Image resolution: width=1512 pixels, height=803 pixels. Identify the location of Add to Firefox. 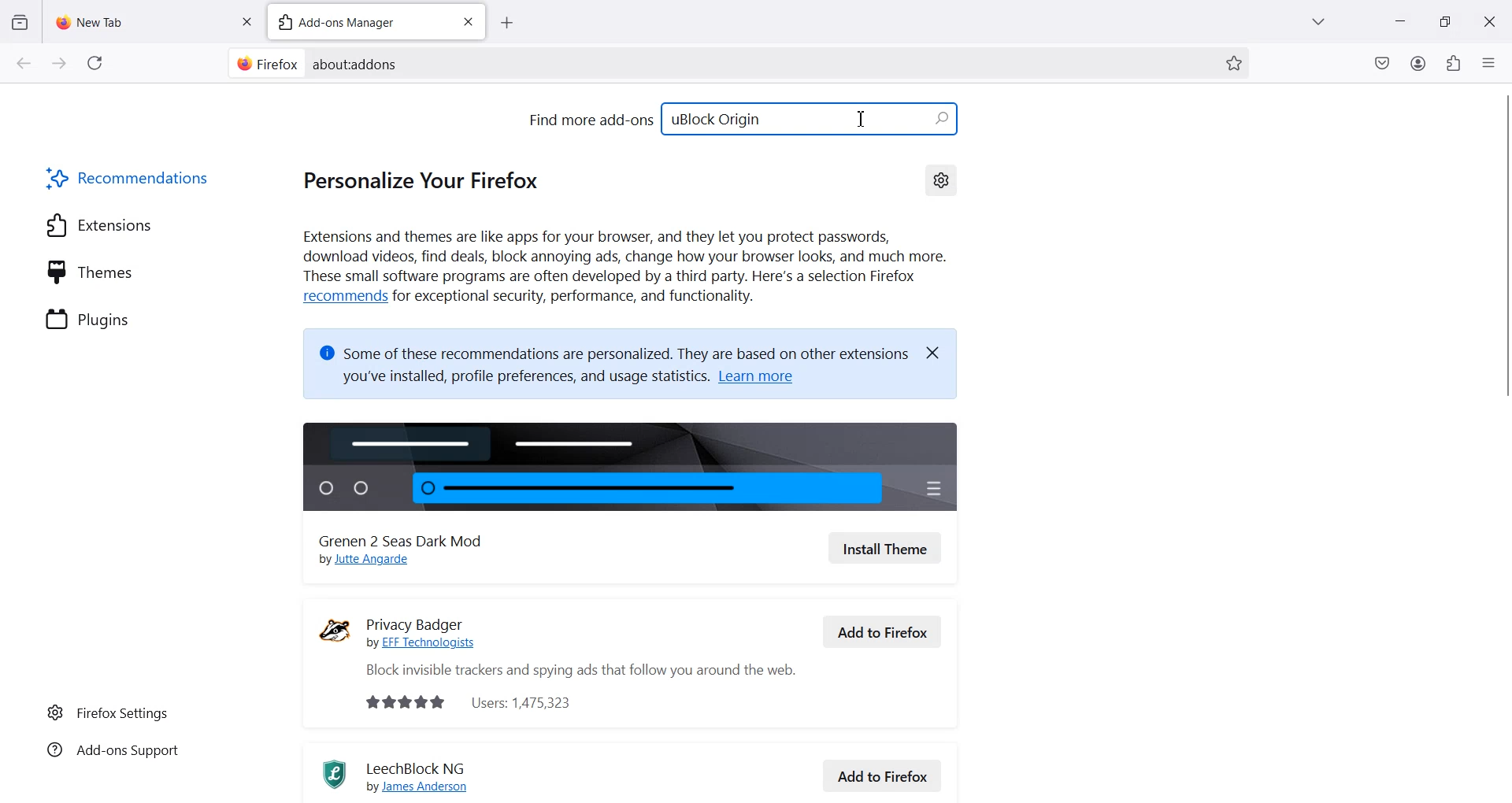
(884, 774).